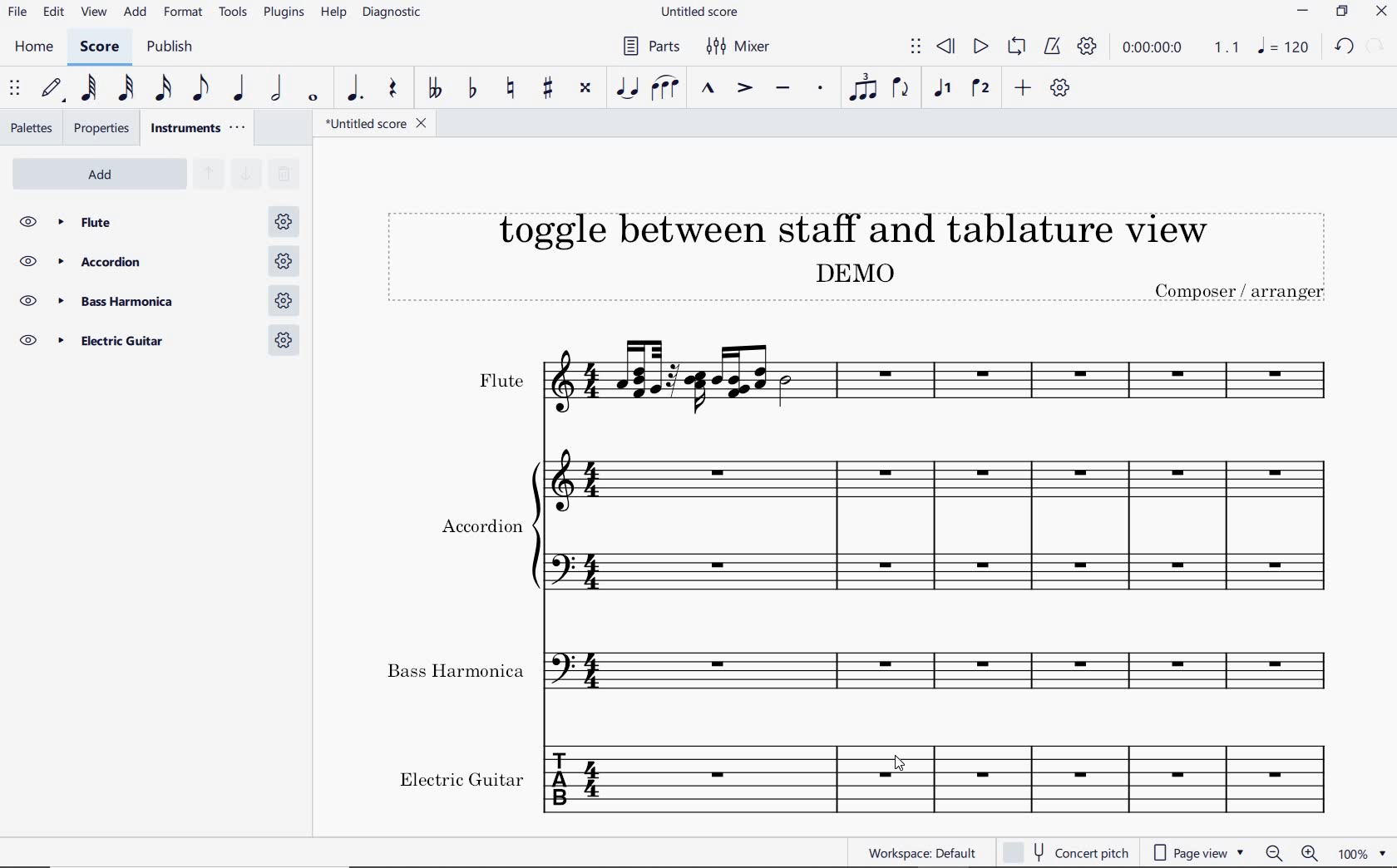 The height and width of the screenshot is (868, 1397). I want to click on REMOVE SELECTED INSTRUMENTS, so click(284, 175).